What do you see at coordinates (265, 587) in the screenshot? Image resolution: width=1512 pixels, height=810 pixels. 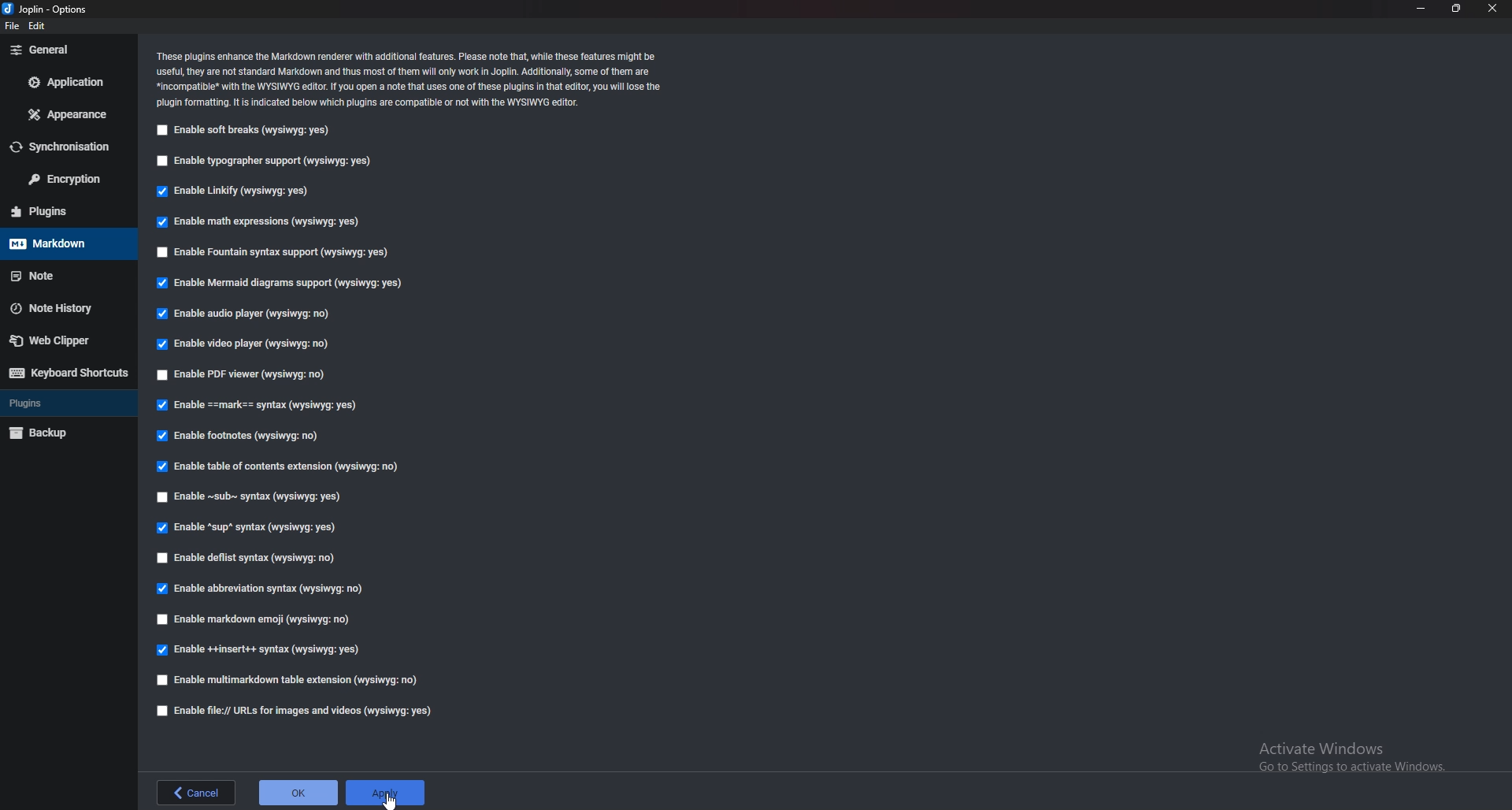 I see `Enable abbreviation syntax` at bounding box center [265, 587].